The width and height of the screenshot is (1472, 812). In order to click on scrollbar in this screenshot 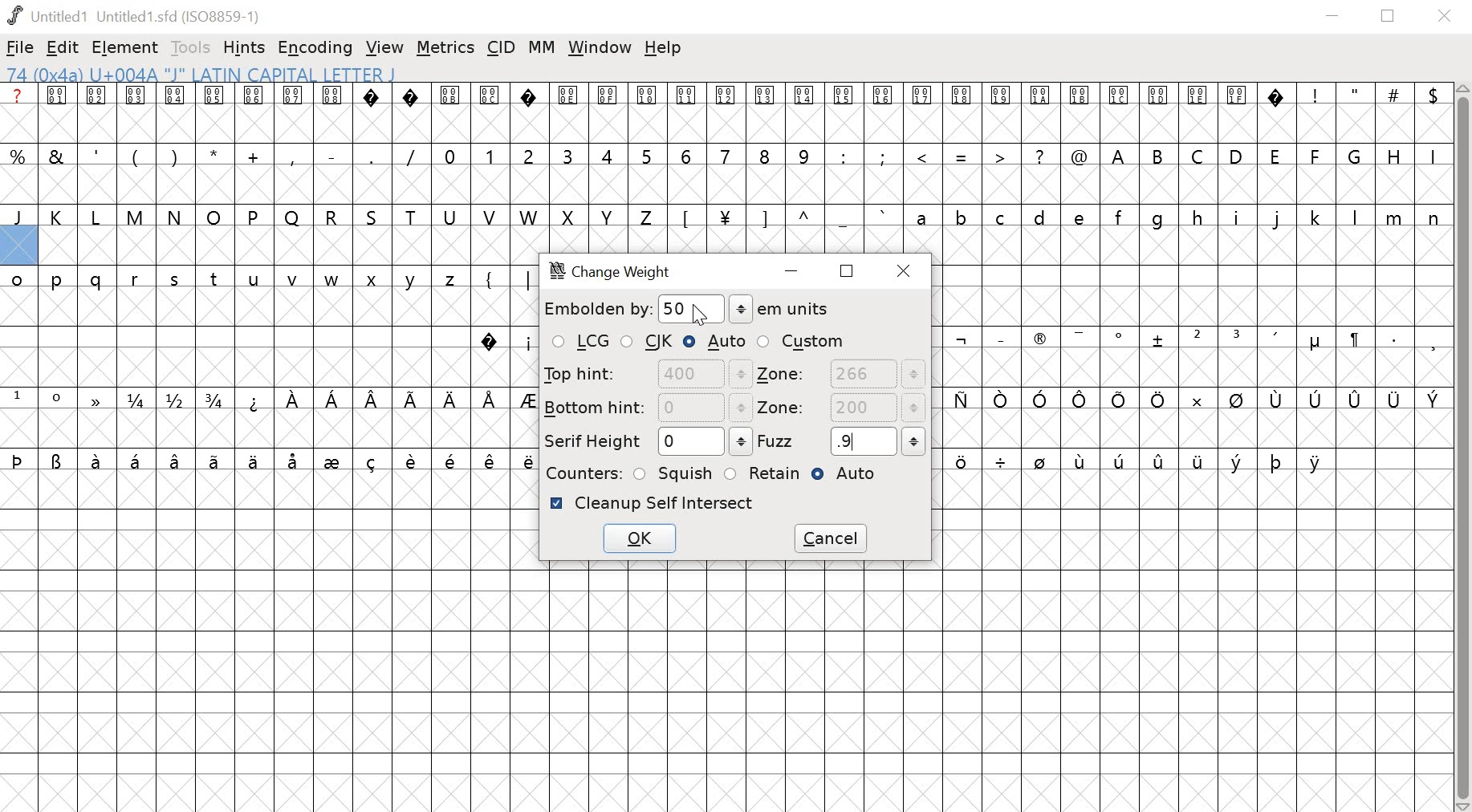, I will do `click(1463, 448)`.